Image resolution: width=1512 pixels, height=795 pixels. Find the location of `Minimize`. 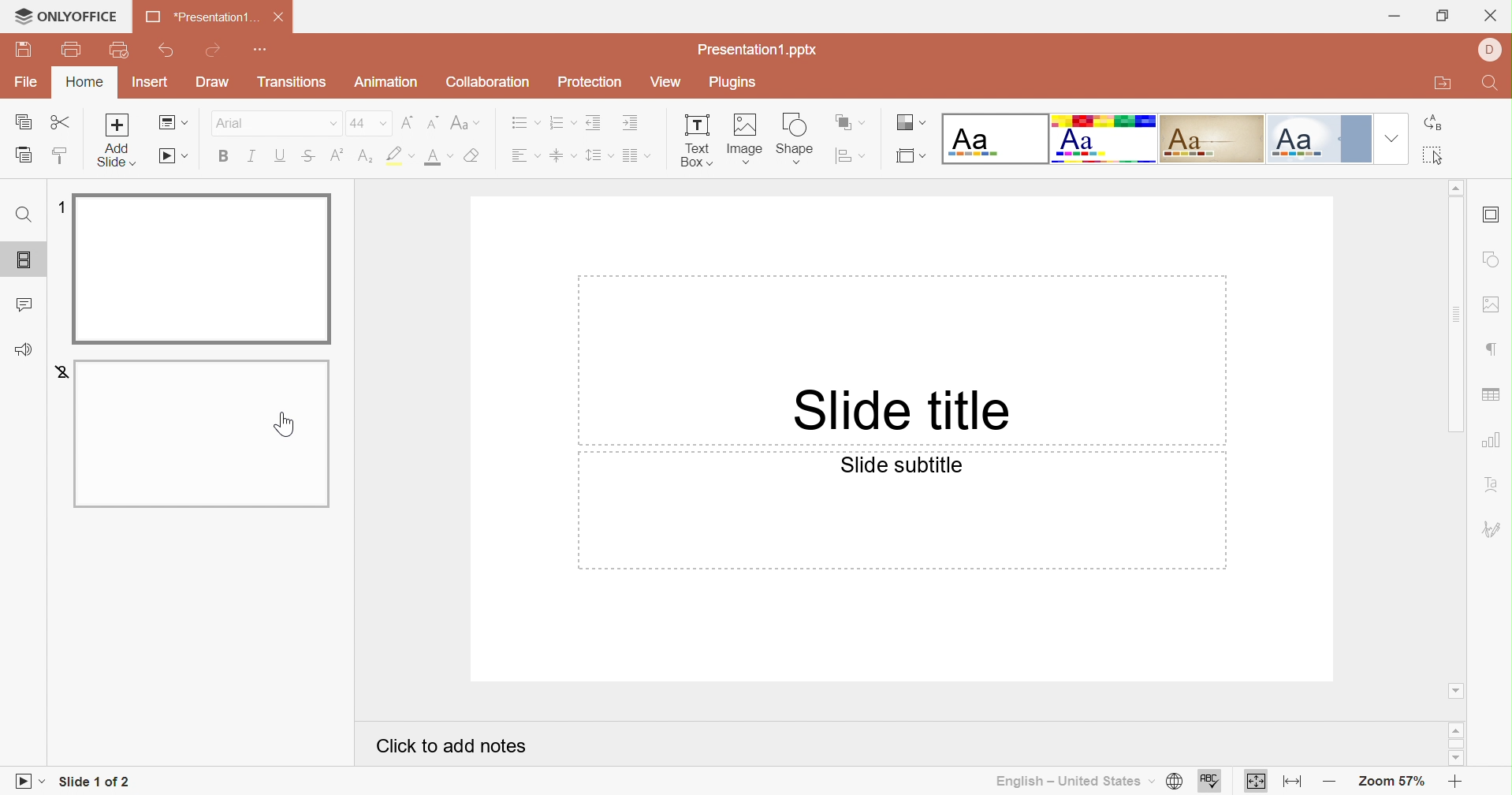

Minimize is located at coordinates (1396, 17).